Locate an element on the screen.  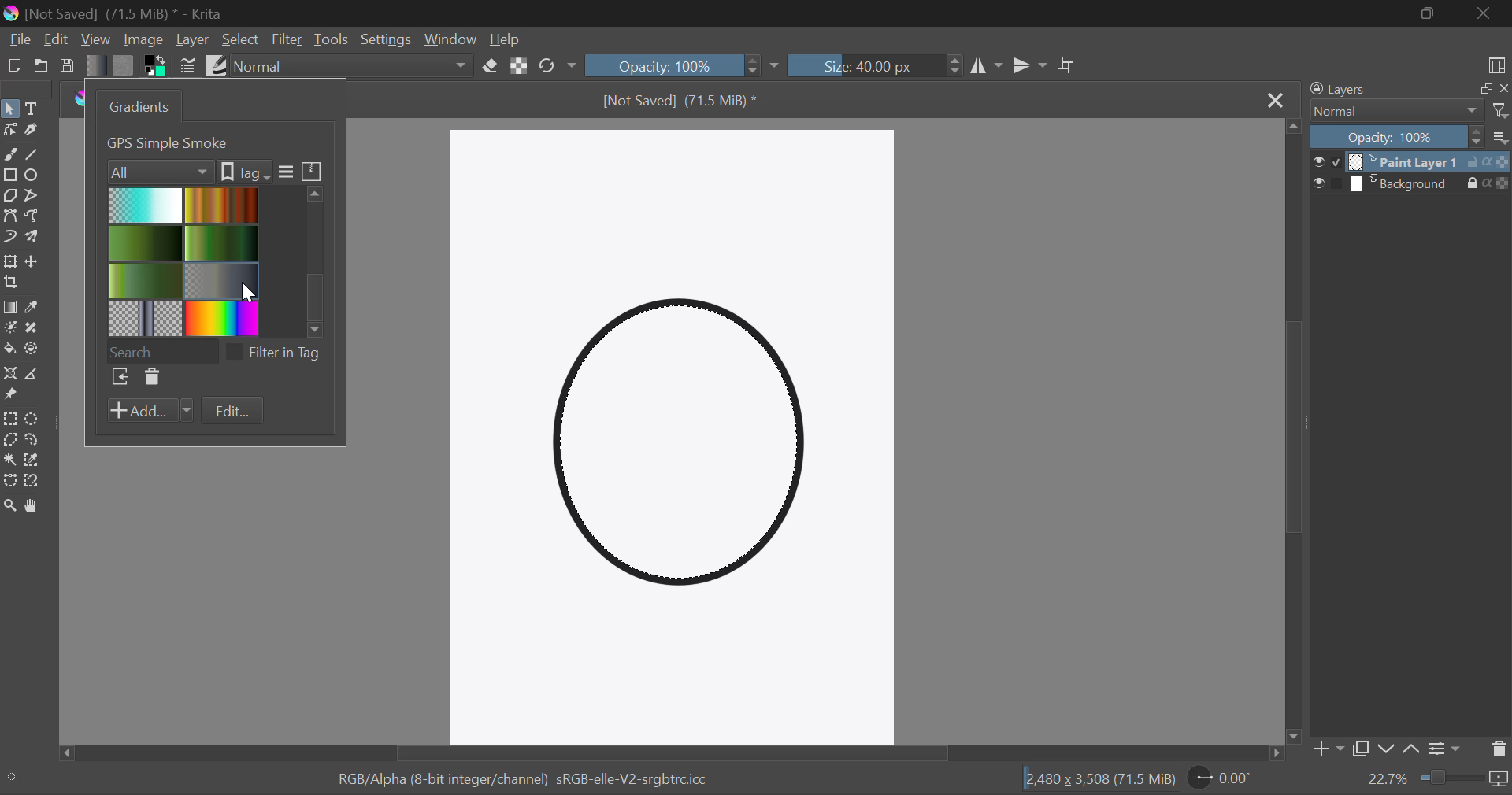
layer 1 is located at coordinates (1405, 162).